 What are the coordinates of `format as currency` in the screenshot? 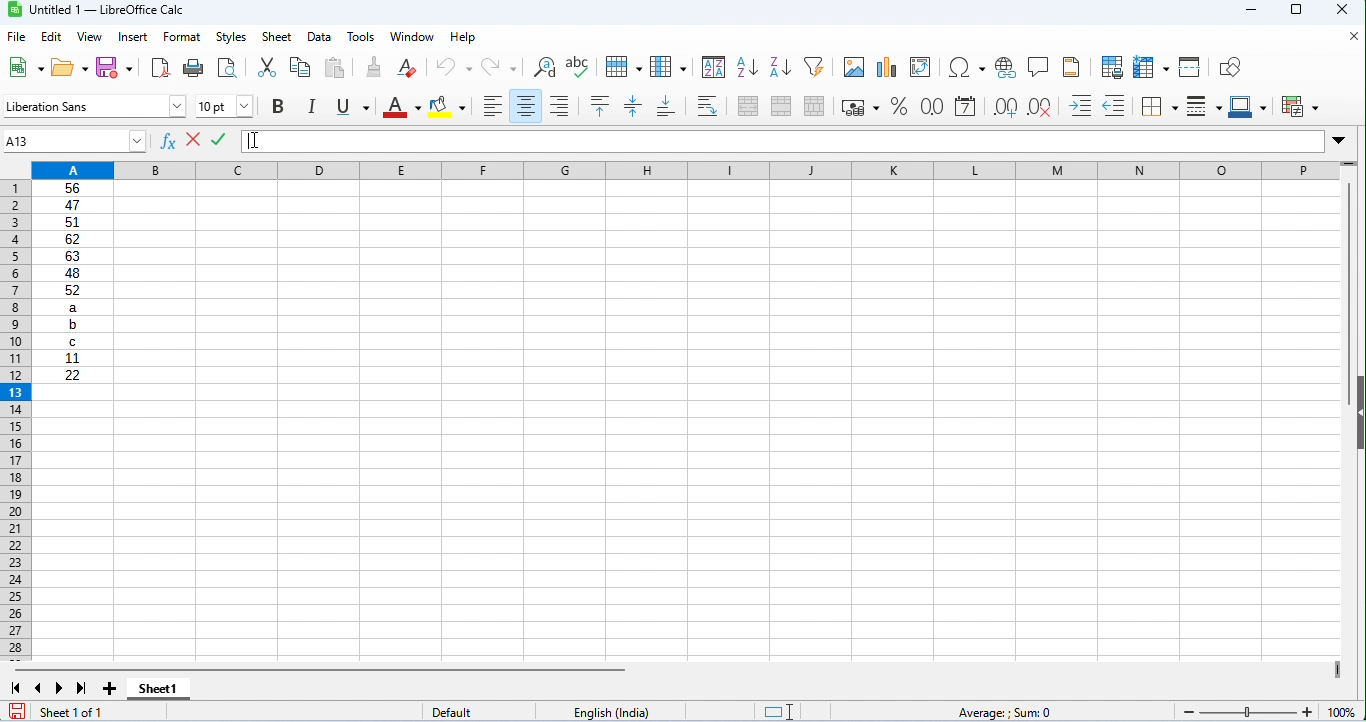 It's located at (860, 107).